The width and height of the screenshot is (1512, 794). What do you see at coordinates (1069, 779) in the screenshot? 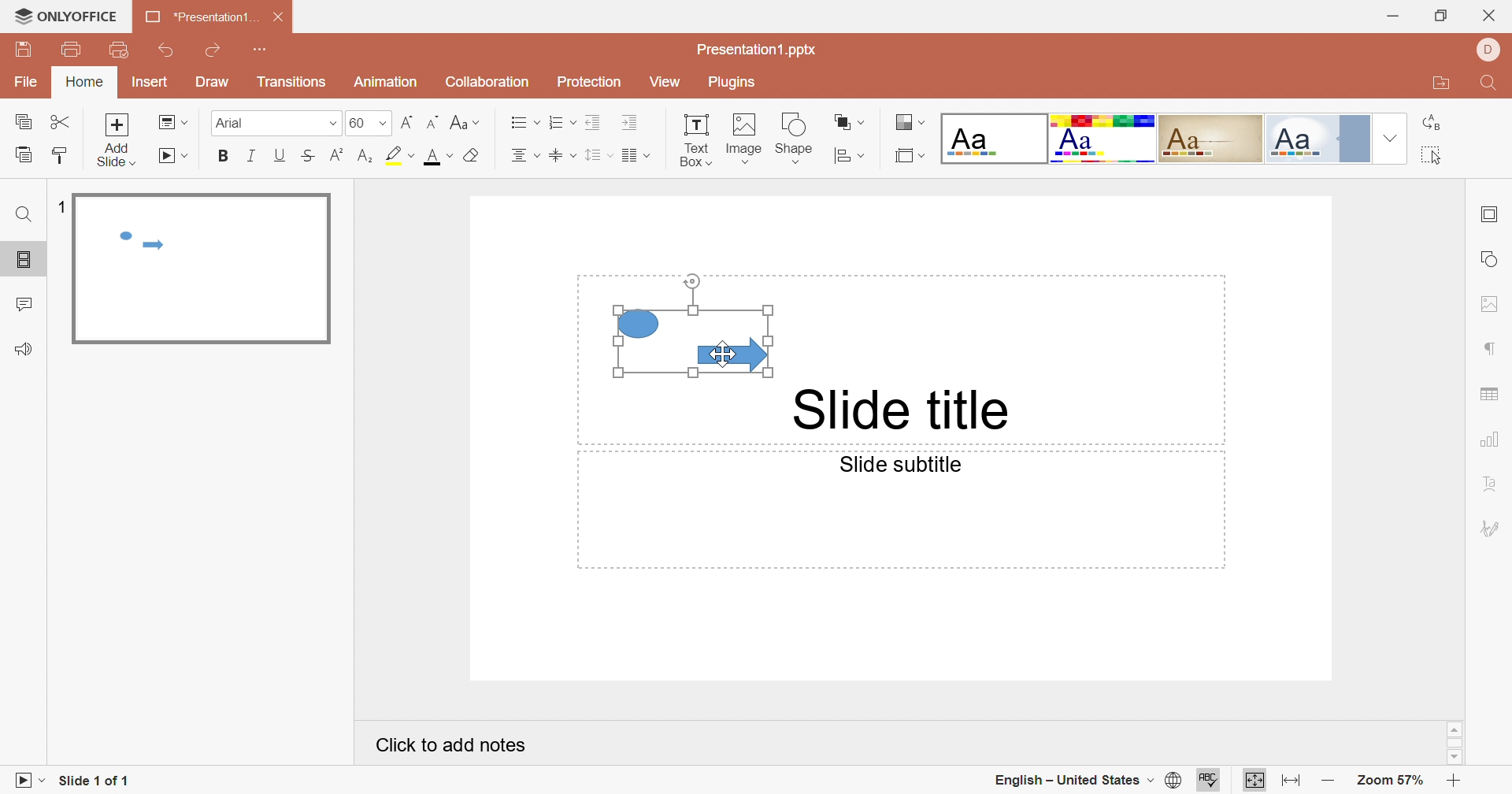
I see `English - United States` at bounding box center [1069, 779].